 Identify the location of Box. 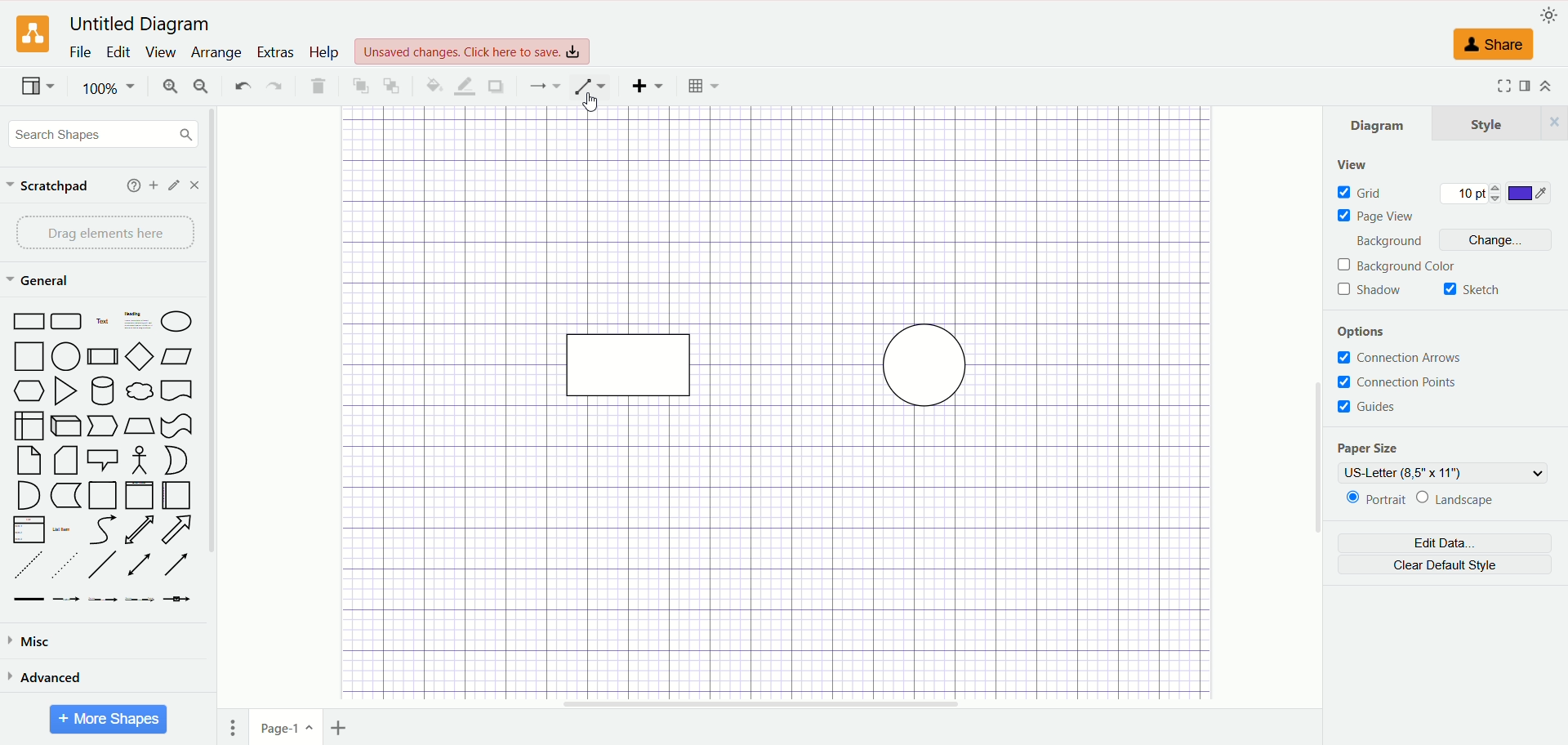
(29, 425).